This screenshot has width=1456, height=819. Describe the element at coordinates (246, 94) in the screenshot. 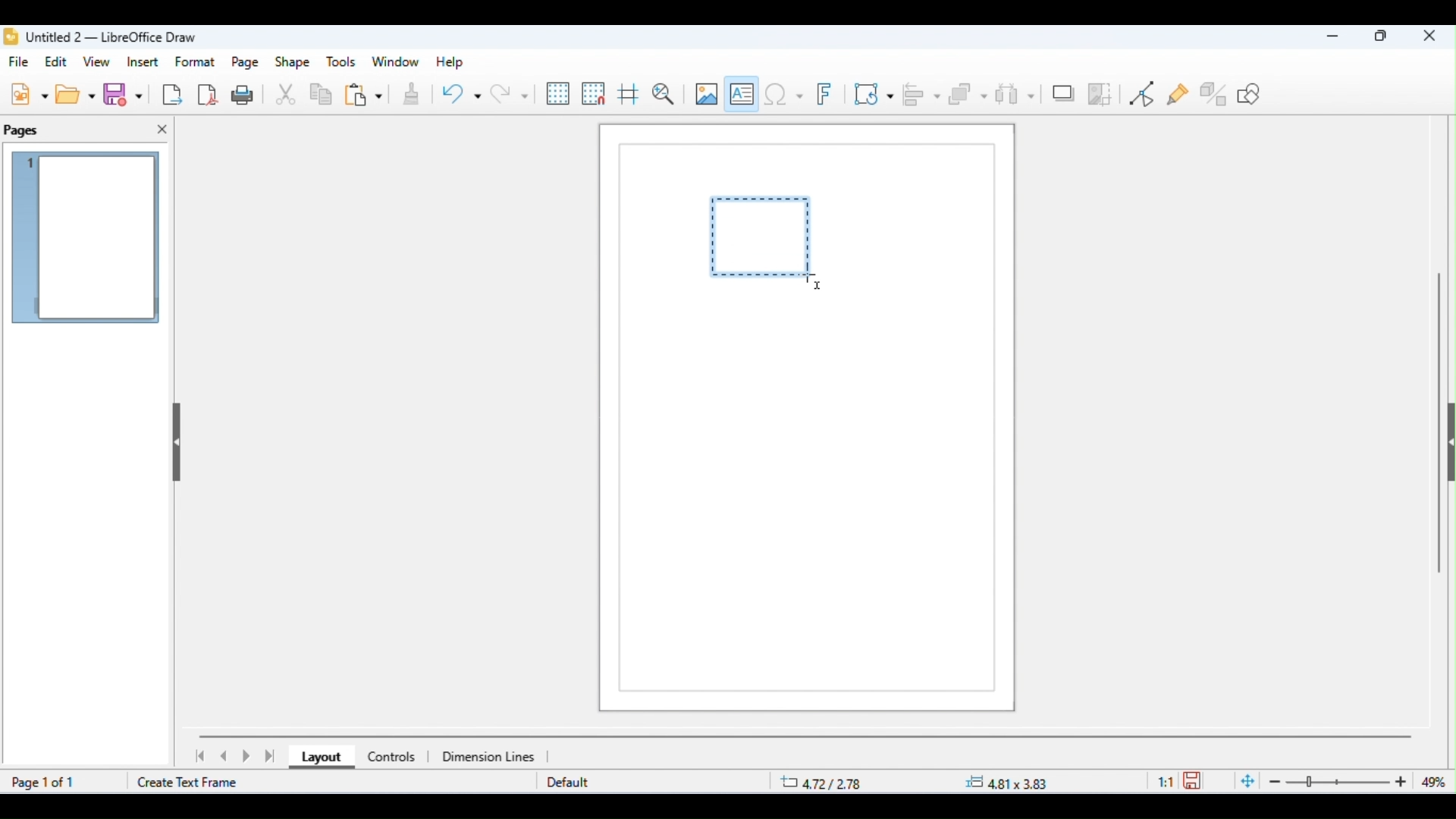

I see `print` at that location.